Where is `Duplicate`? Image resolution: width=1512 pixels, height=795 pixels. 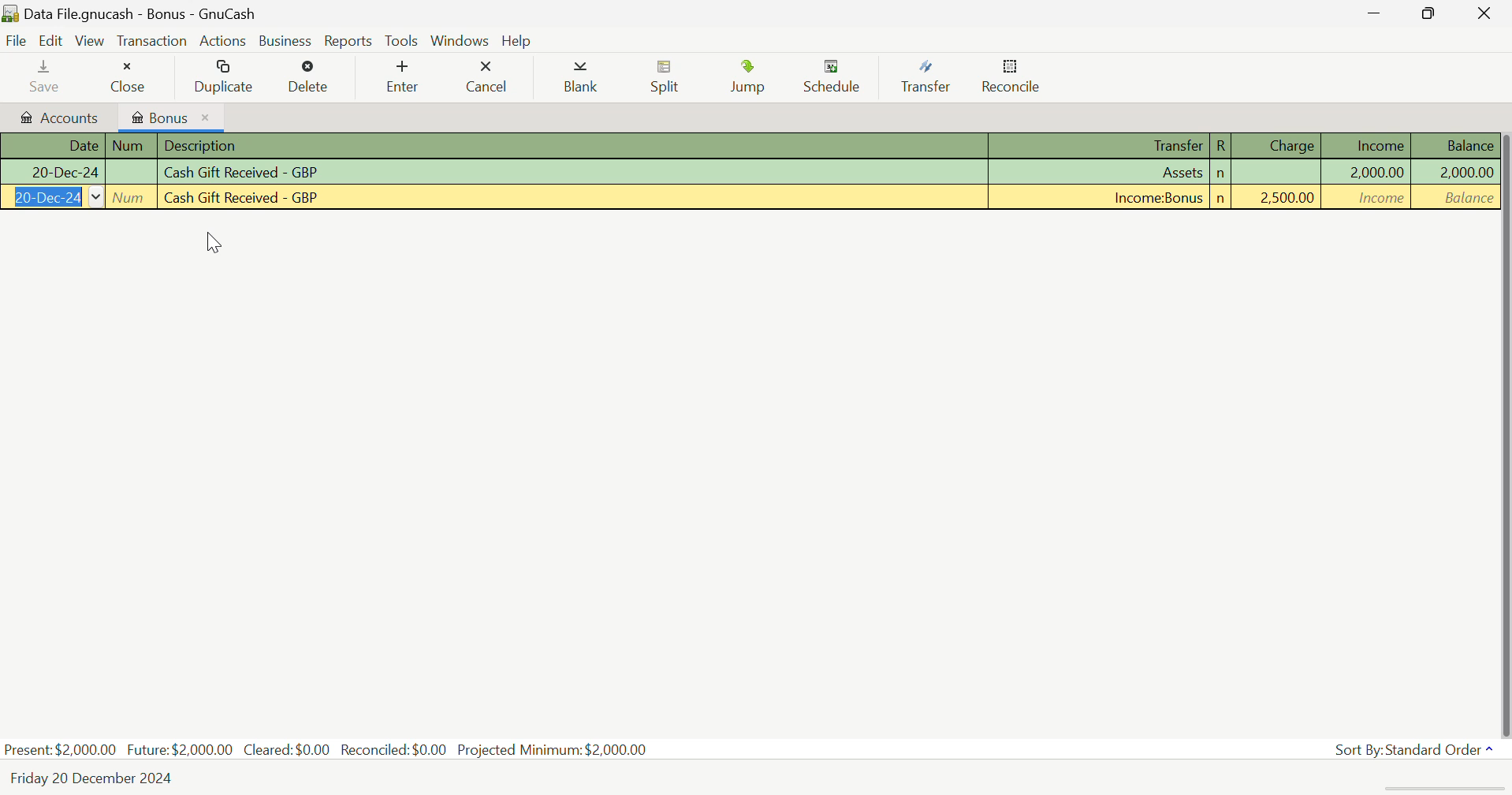 Duplicate is located at coordinates (225, 76).